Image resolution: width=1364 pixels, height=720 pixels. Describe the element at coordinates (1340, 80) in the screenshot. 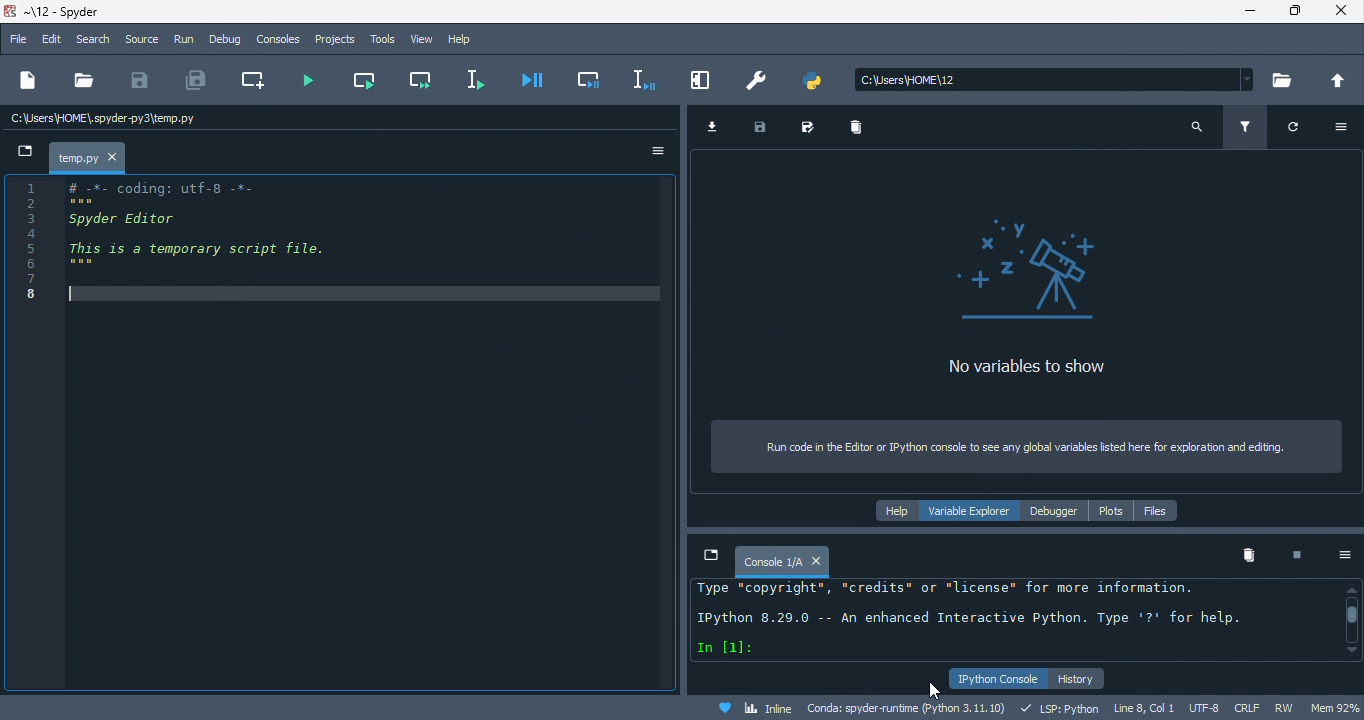

I see `` at that location.